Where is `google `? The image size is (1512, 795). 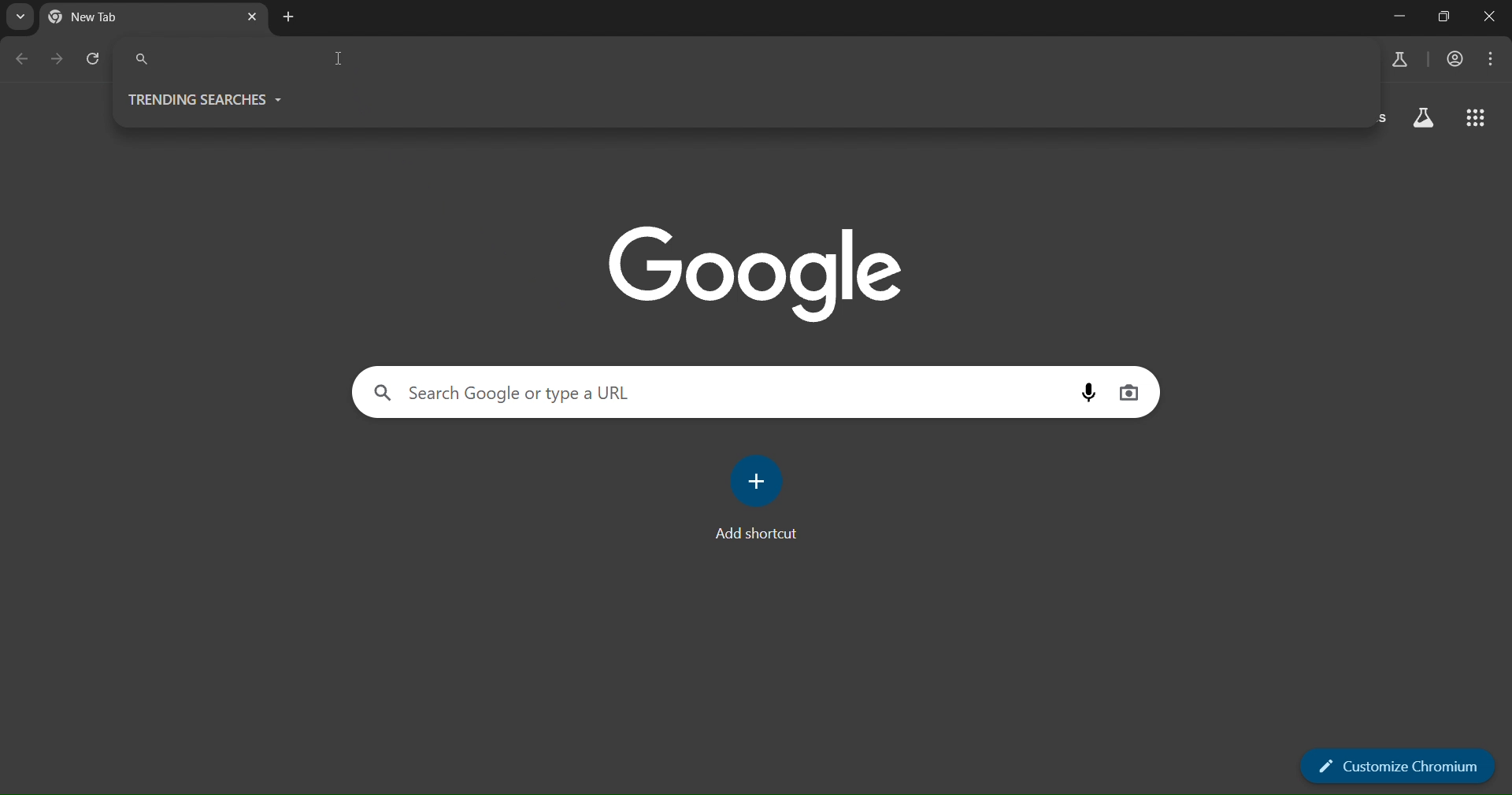
google  is located at coordinates (755, 270).